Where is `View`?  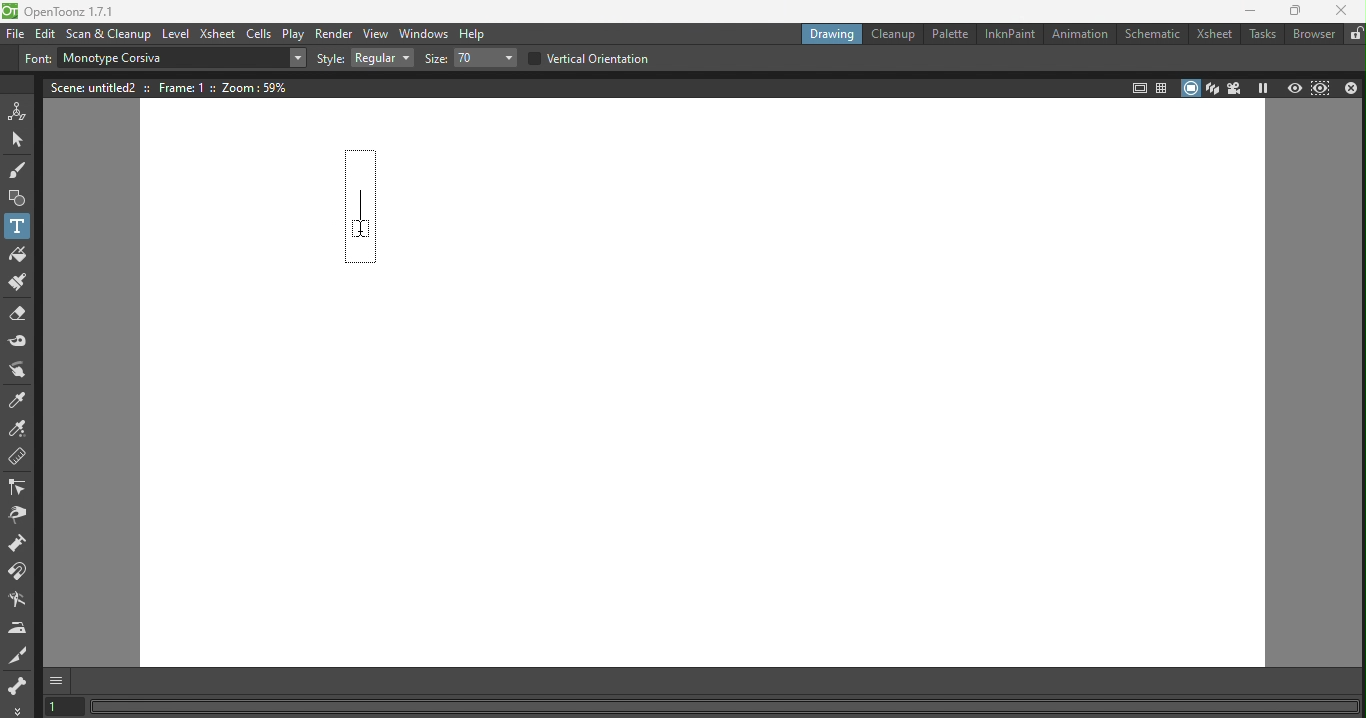
View is located at coordinates (378, 33).